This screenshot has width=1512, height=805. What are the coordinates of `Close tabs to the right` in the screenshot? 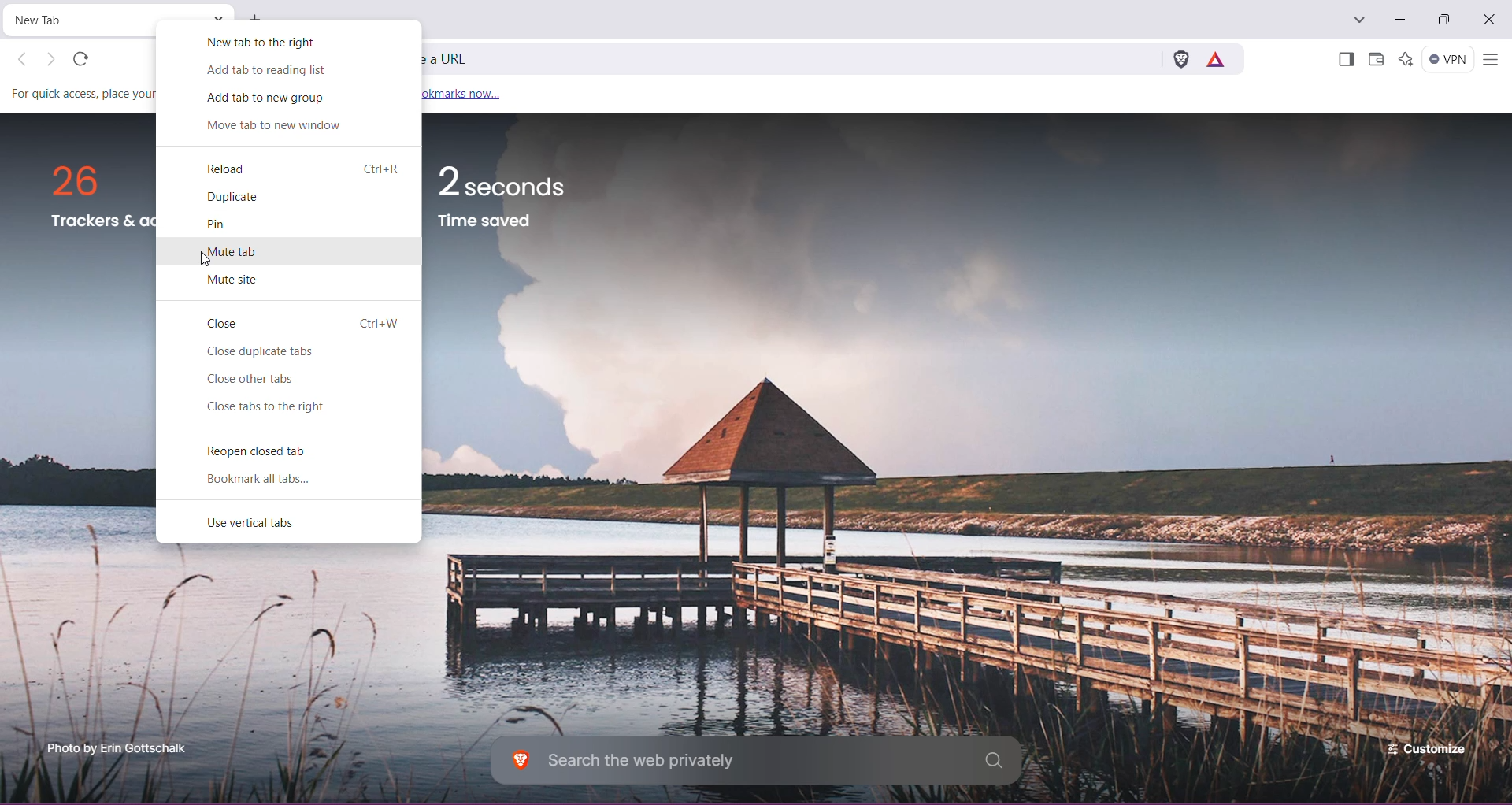 It's located at (261, 408).